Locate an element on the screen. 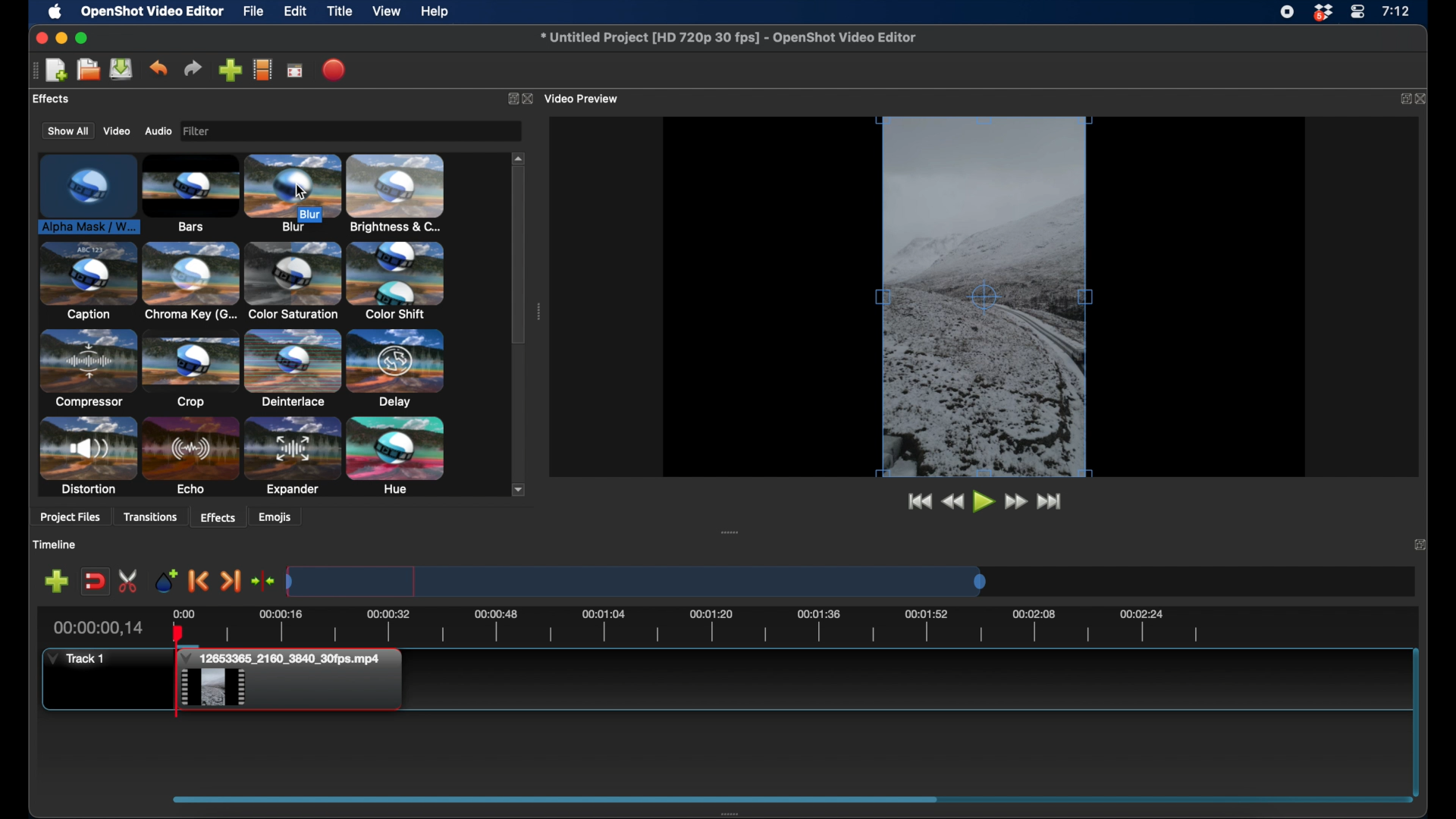  hue is located at coordinates (396, 457).